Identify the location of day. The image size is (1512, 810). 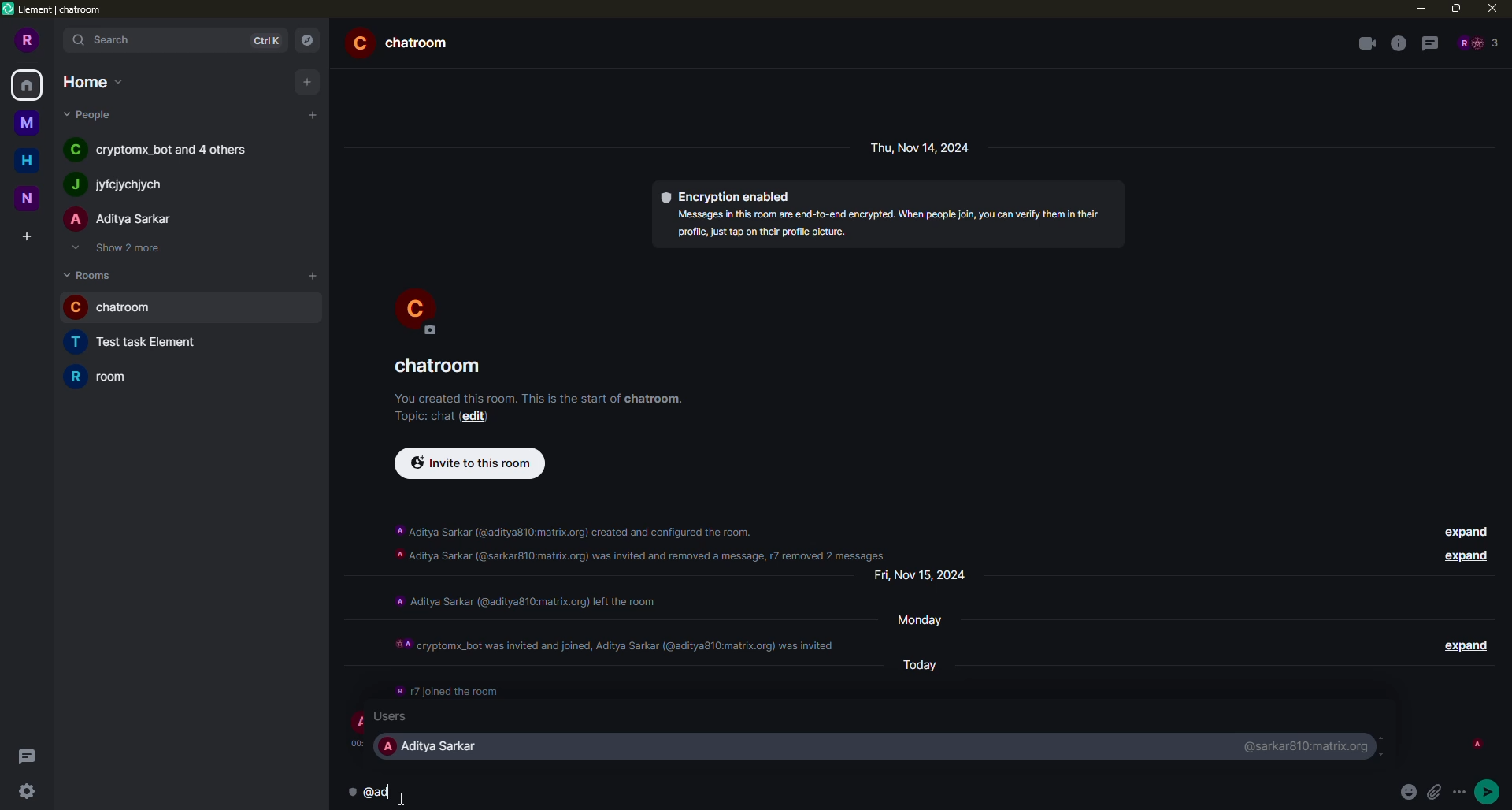
(927, 575).